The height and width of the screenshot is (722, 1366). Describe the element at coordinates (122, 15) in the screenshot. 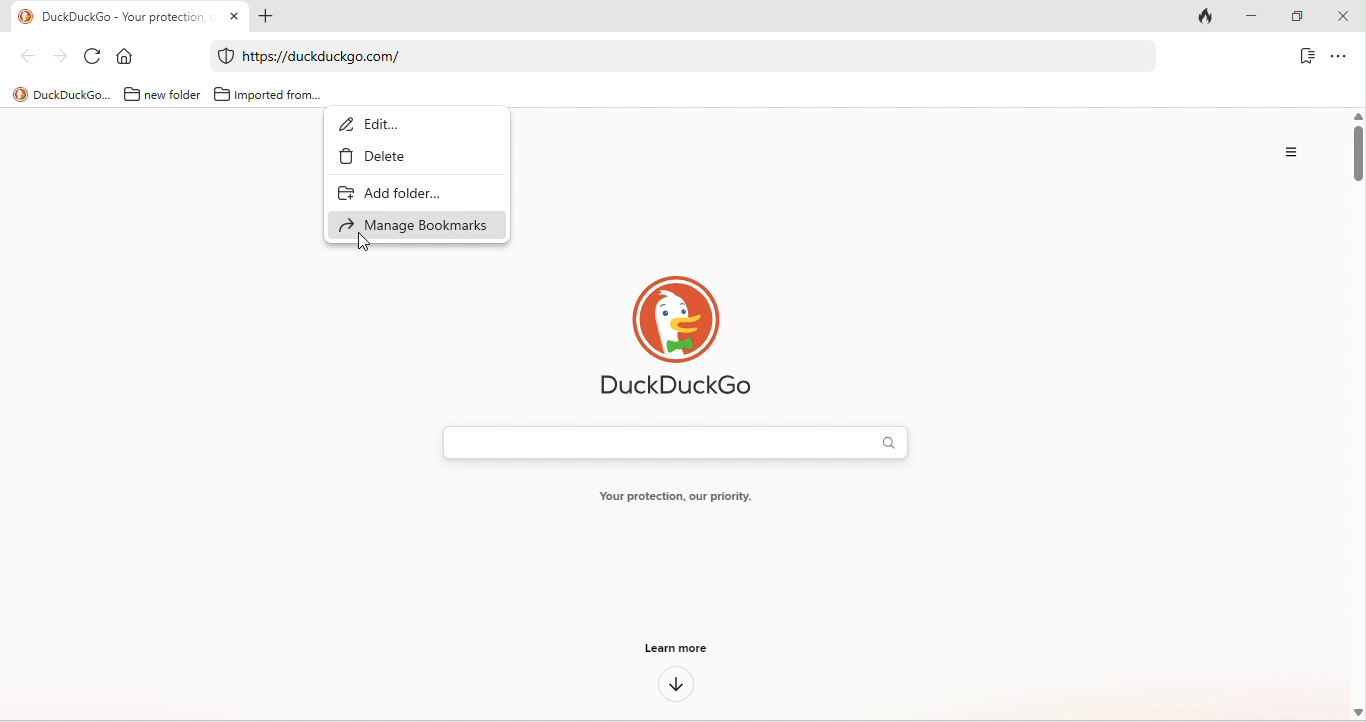

I see `Duckduckgo-your protection` at that location.